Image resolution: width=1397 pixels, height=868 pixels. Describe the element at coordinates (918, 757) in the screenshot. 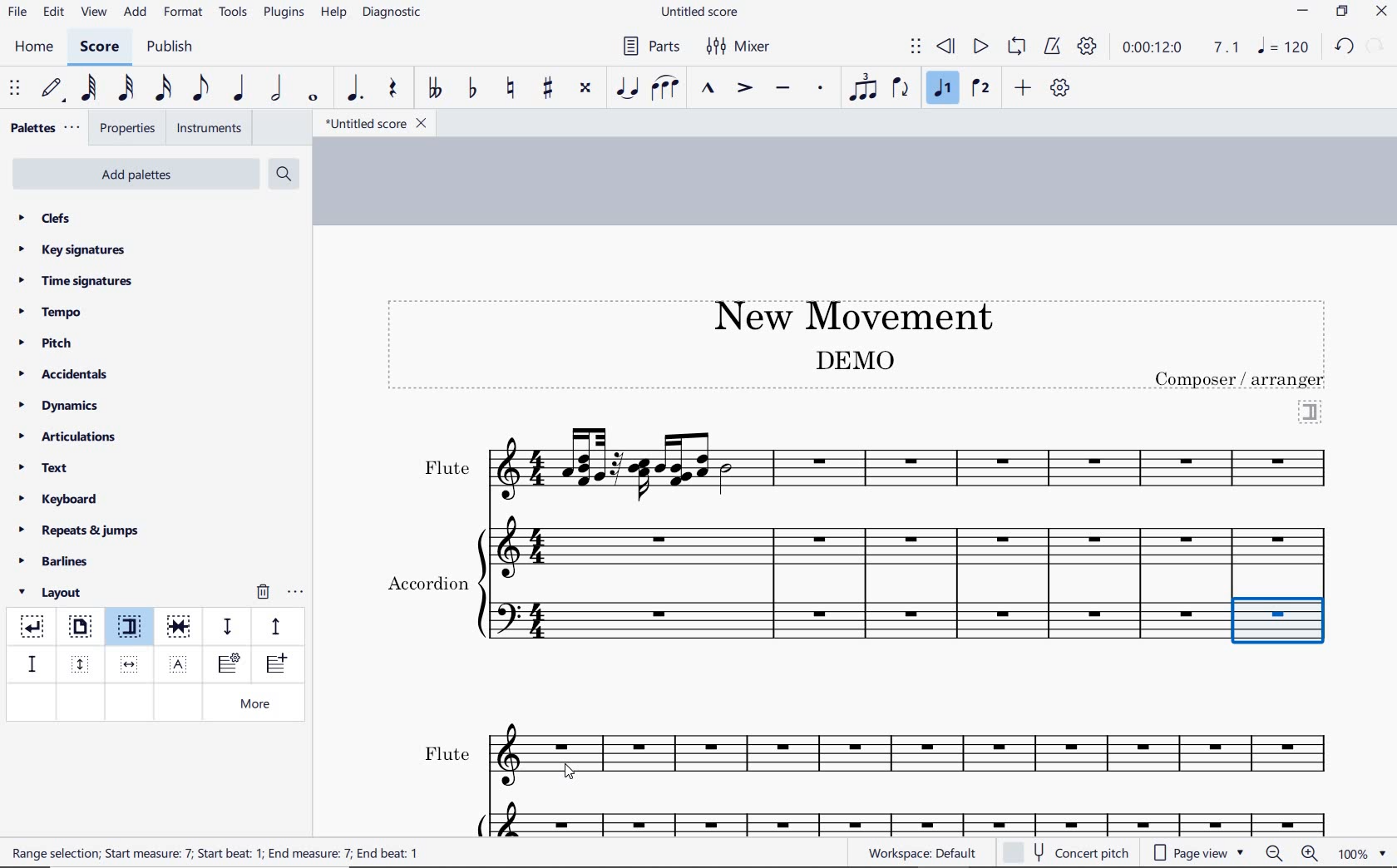

I see `FL` at that location.